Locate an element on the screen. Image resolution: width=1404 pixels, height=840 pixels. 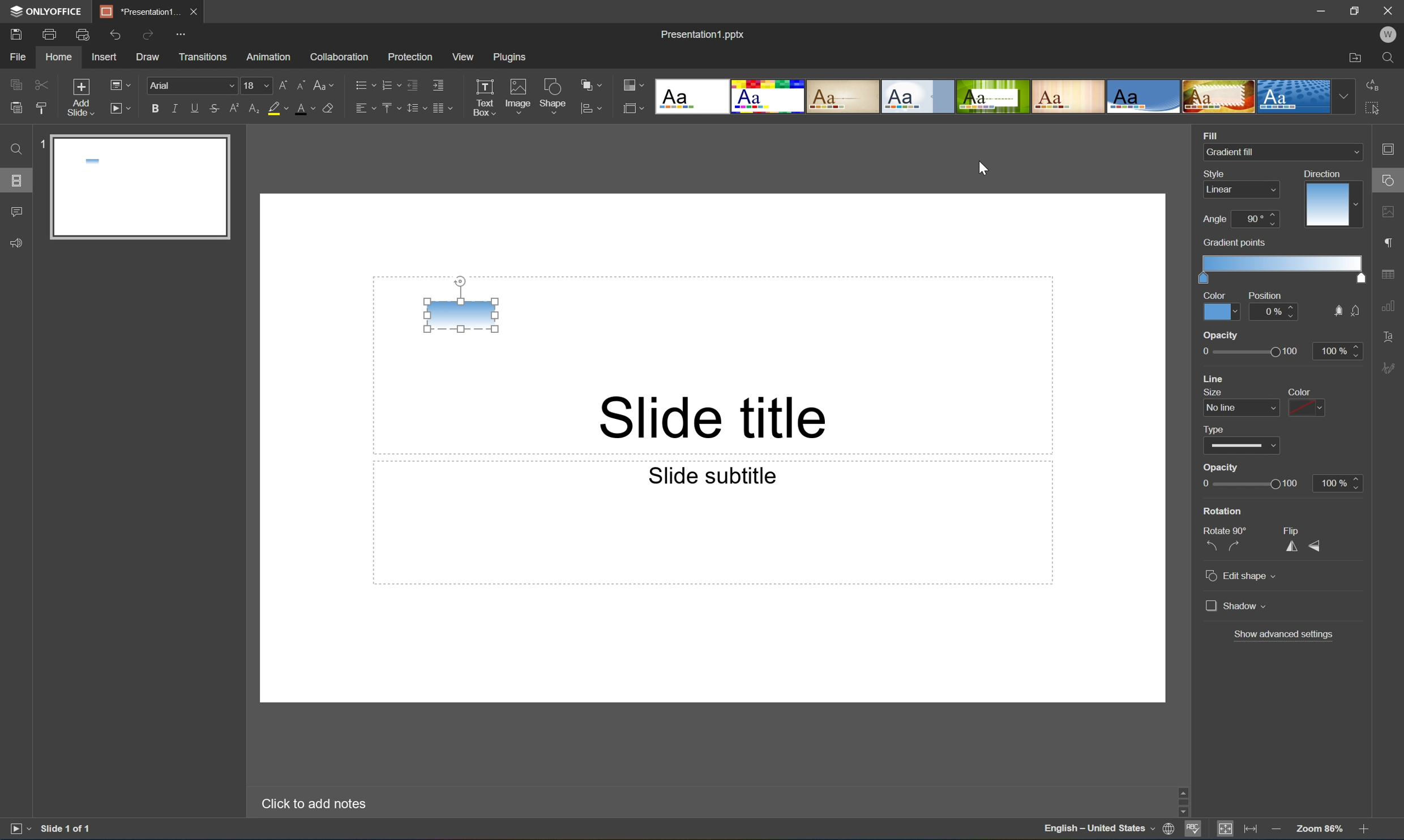
Italic is located at coordinates (174, 109).